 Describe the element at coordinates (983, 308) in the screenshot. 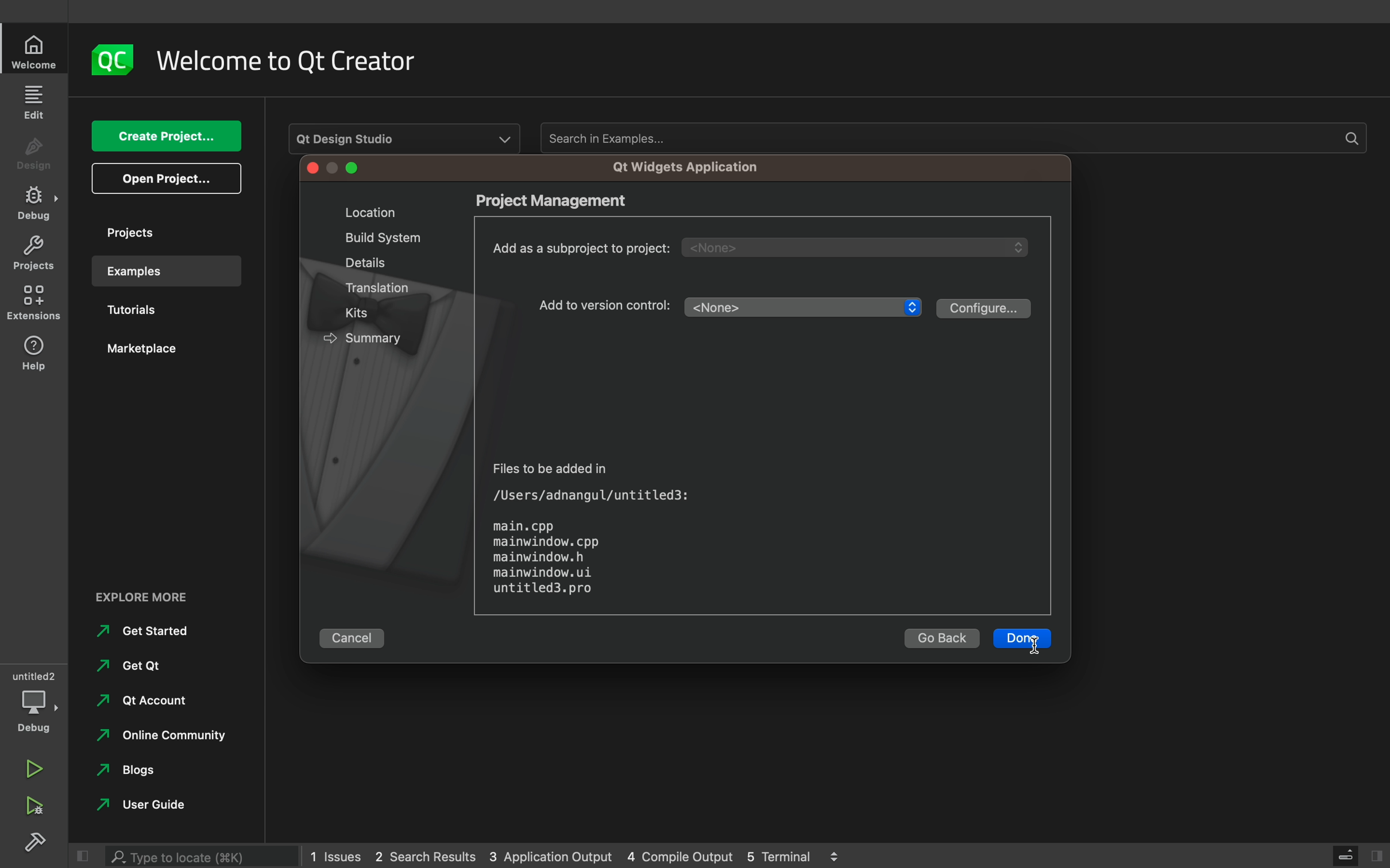

I see `Configure...` at that location.